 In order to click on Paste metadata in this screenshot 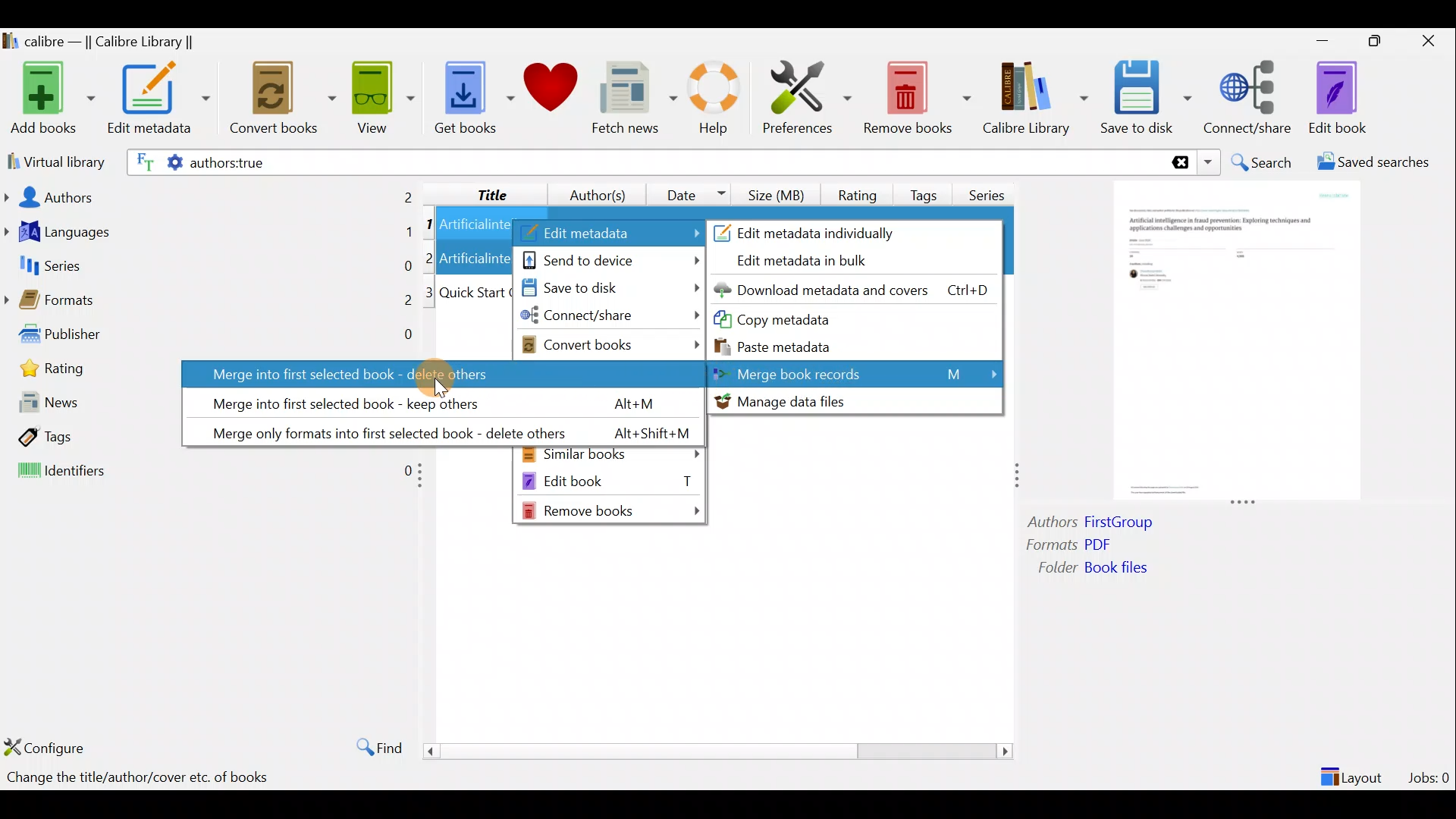, I will do `click(788, 345)`.